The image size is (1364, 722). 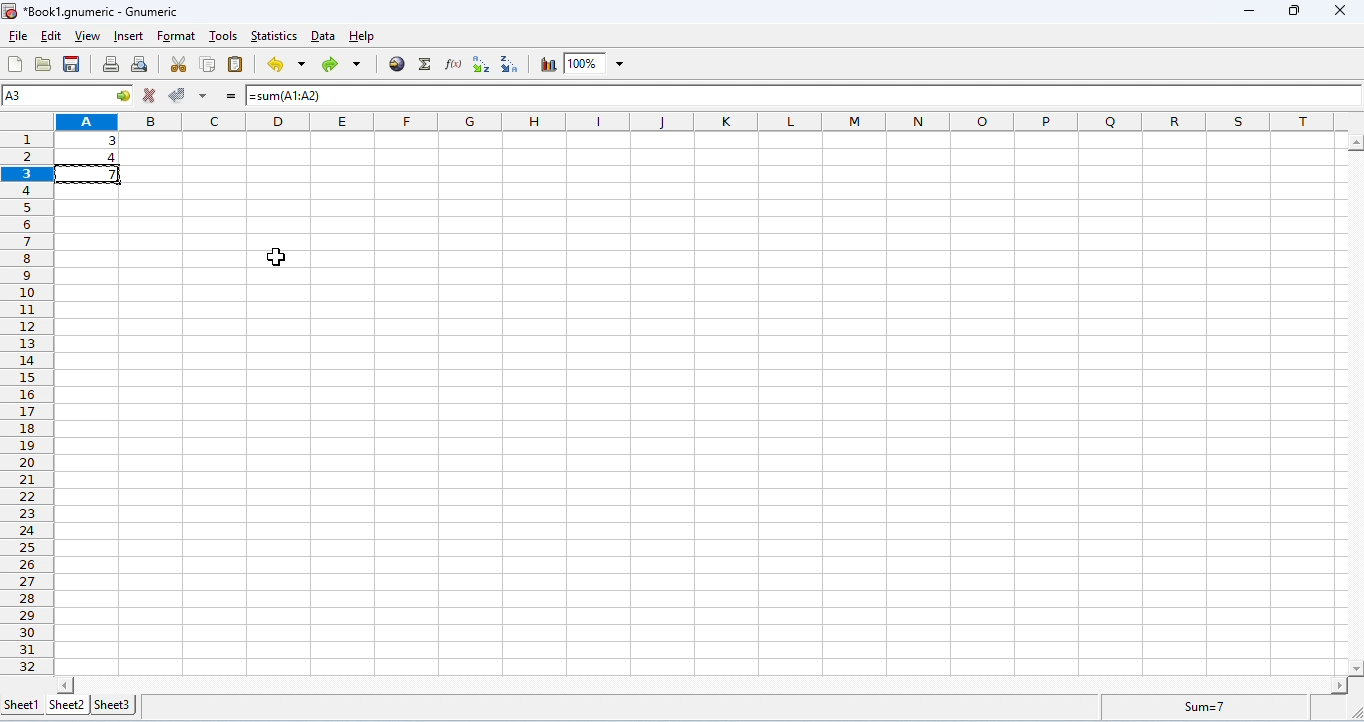 What do you see at coordinates (43, 64) in the screenshot?
I see `open` at bounding box center [43, 64].